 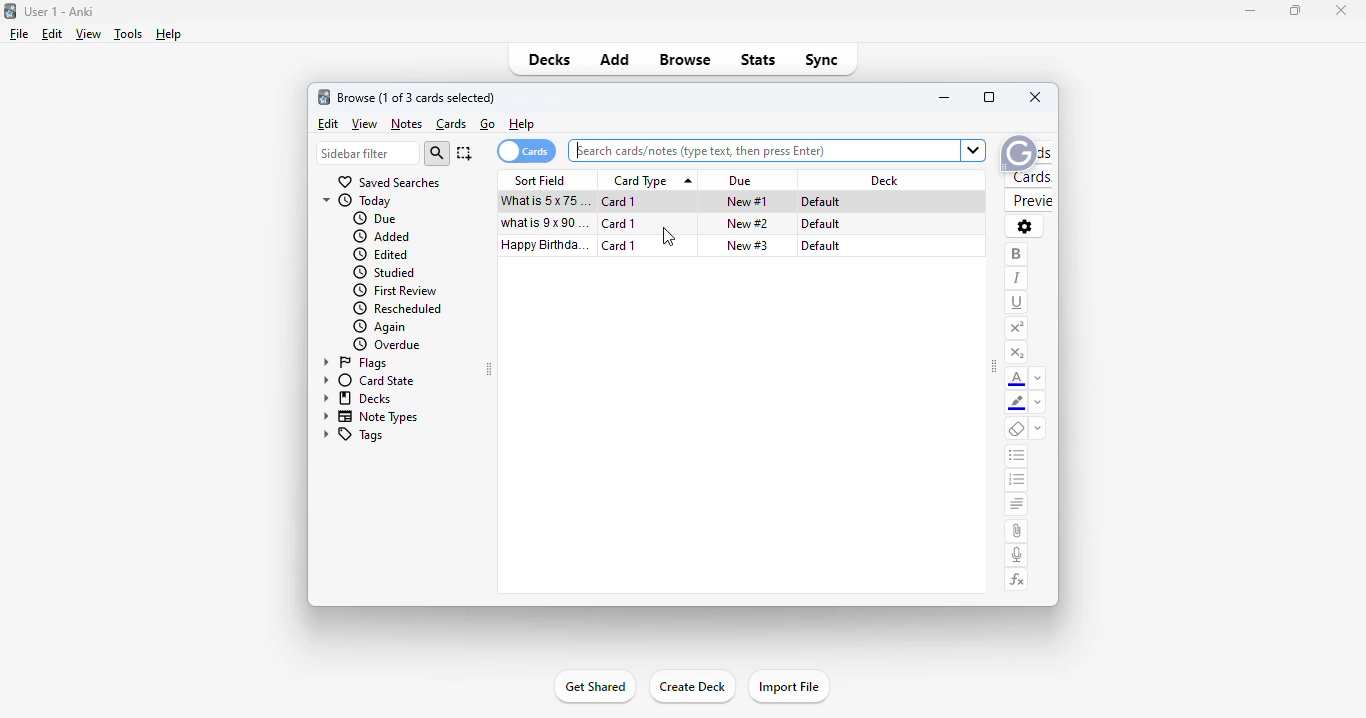 I want to click on notes, so click(x=407, y=124).